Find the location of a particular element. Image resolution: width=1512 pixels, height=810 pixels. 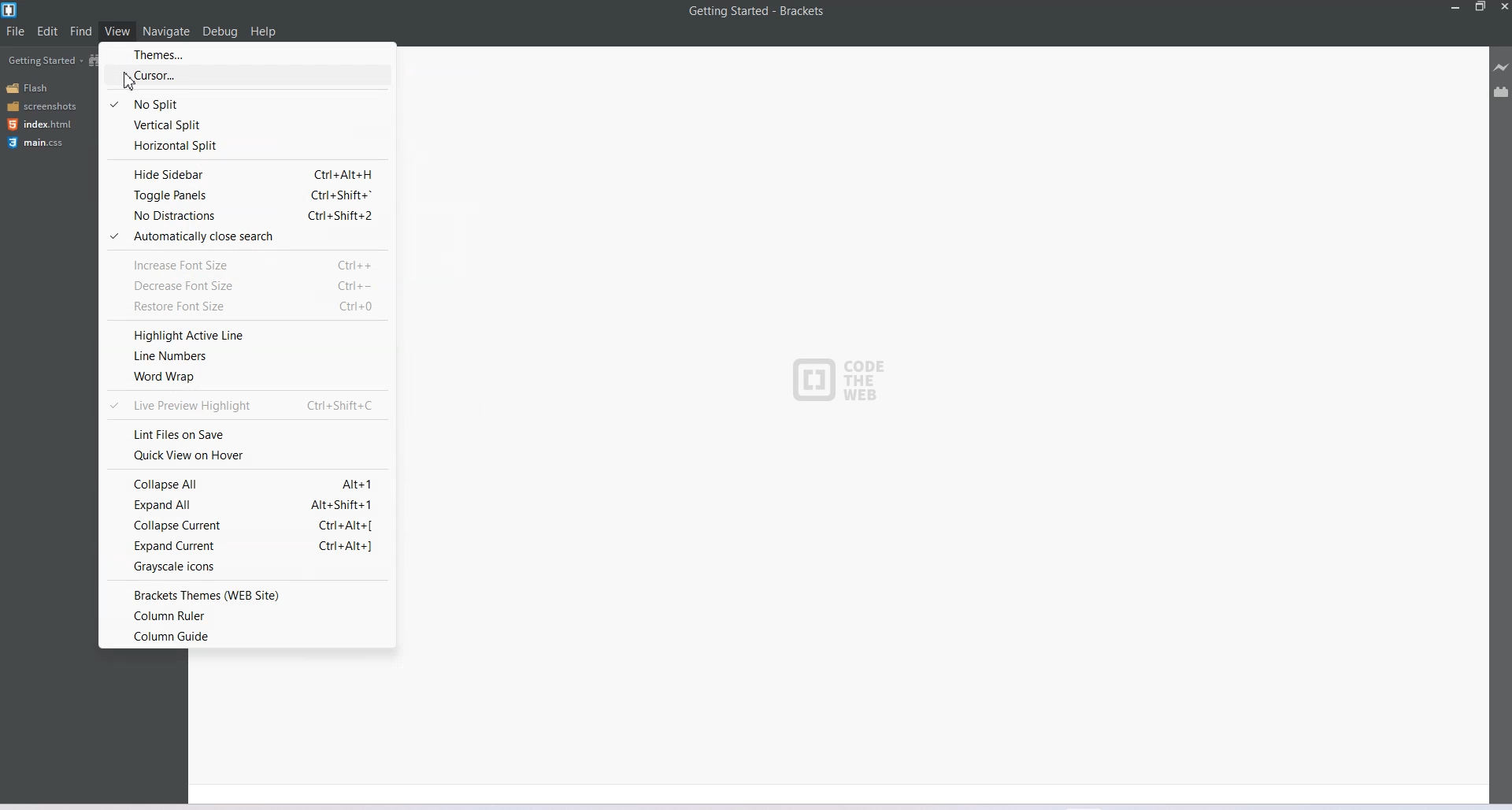

Expand current is located at coordinates (246, 545).